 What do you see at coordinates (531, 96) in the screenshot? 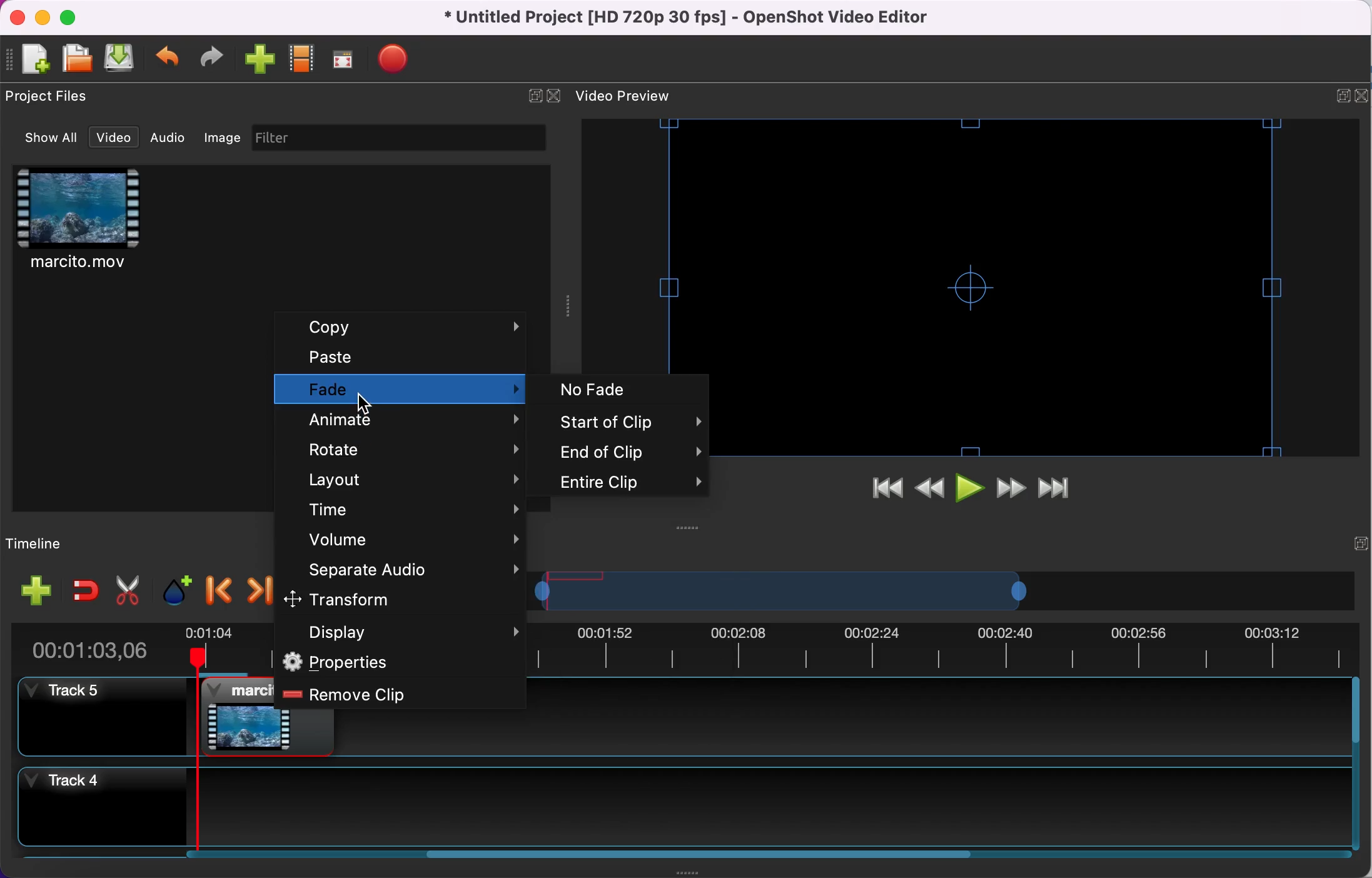
I see `expand/hide` at bounding box center [531, 96].